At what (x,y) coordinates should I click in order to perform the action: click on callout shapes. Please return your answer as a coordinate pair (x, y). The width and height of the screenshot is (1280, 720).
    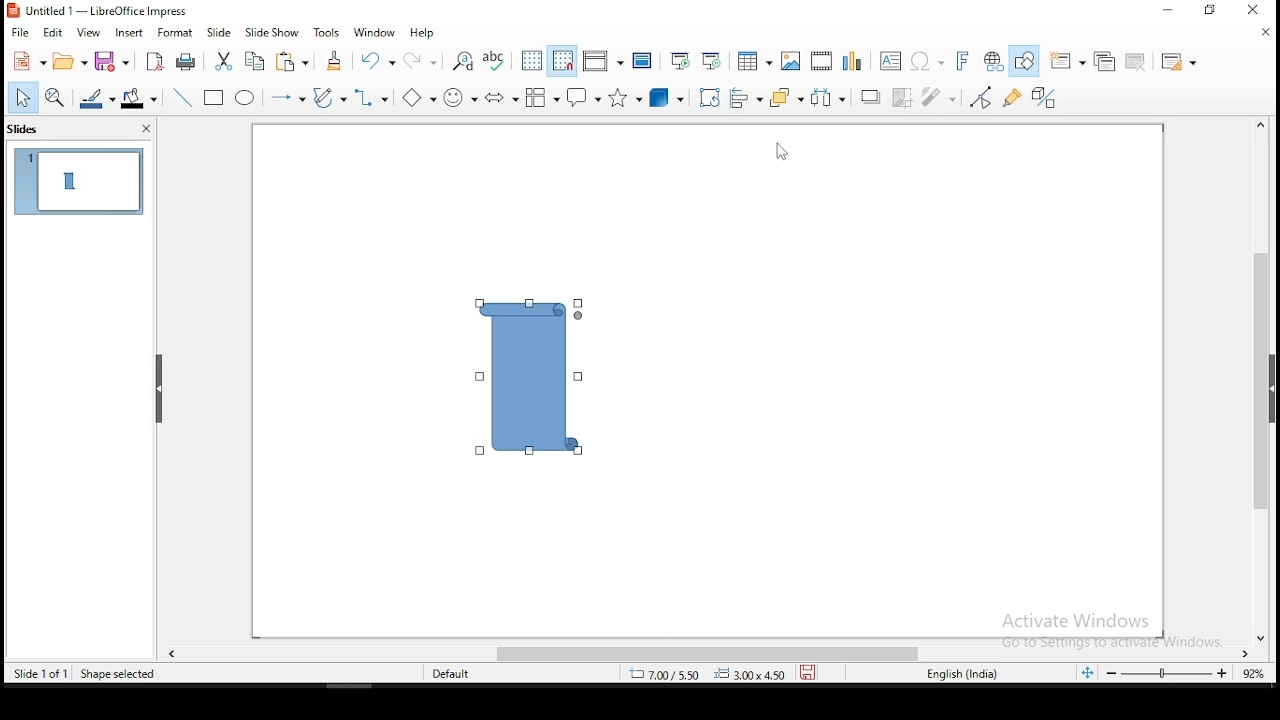
    Looking at the image, I should click on (581, 98).